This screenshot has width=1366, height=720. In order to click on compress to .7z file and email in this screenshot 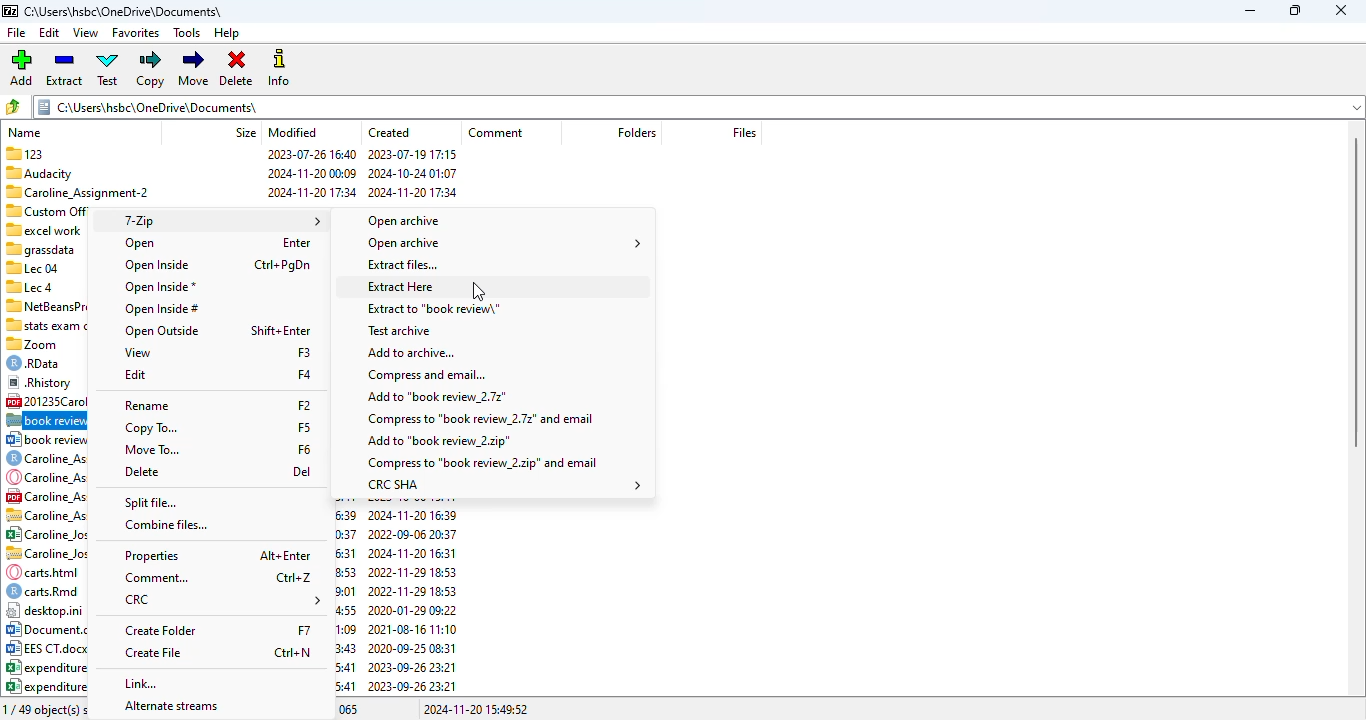, I will do `click(479, 418)`.